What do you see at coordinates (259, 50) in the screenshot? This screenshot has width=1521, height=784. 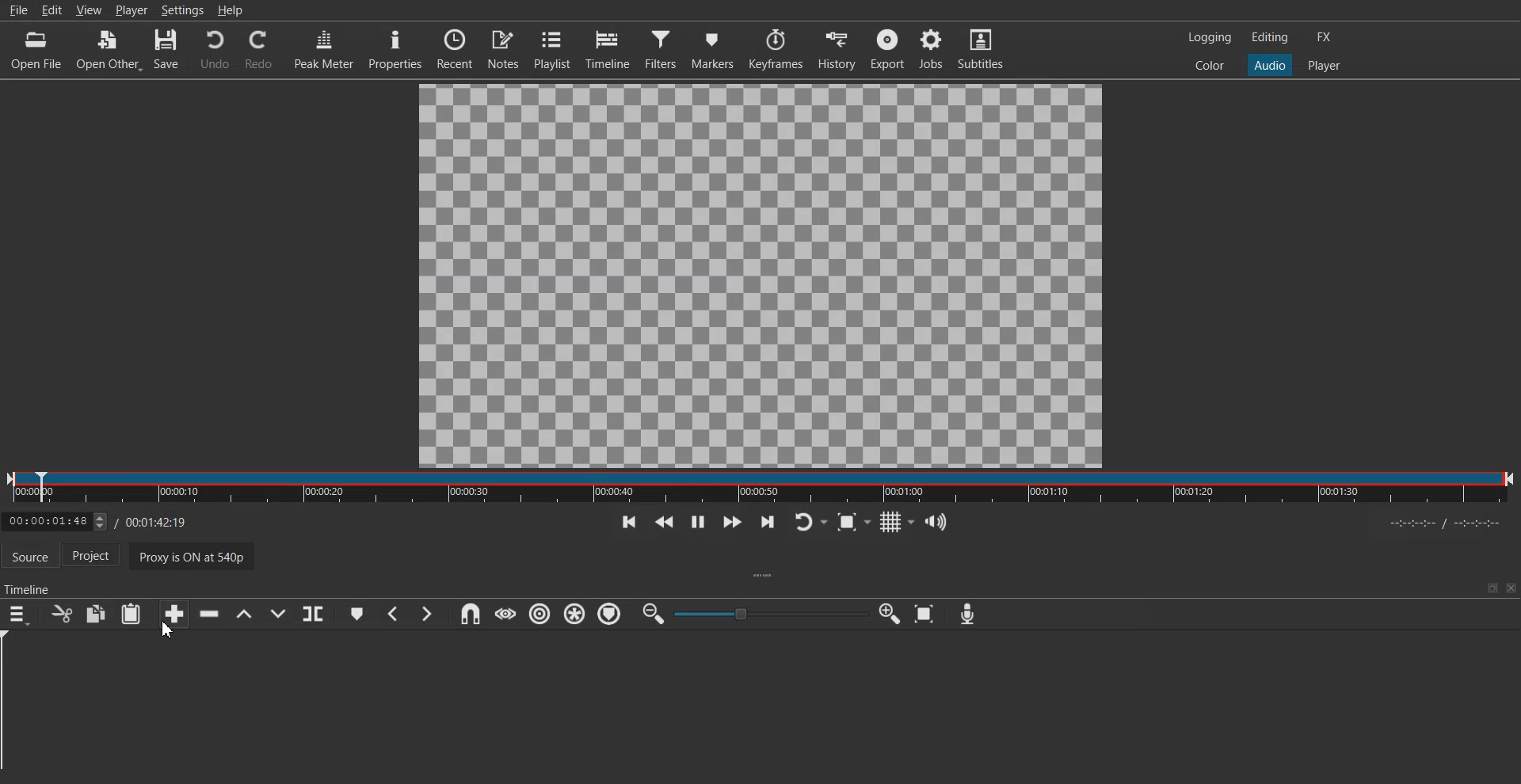 I see `Redo` at bounding box center [259, 50].